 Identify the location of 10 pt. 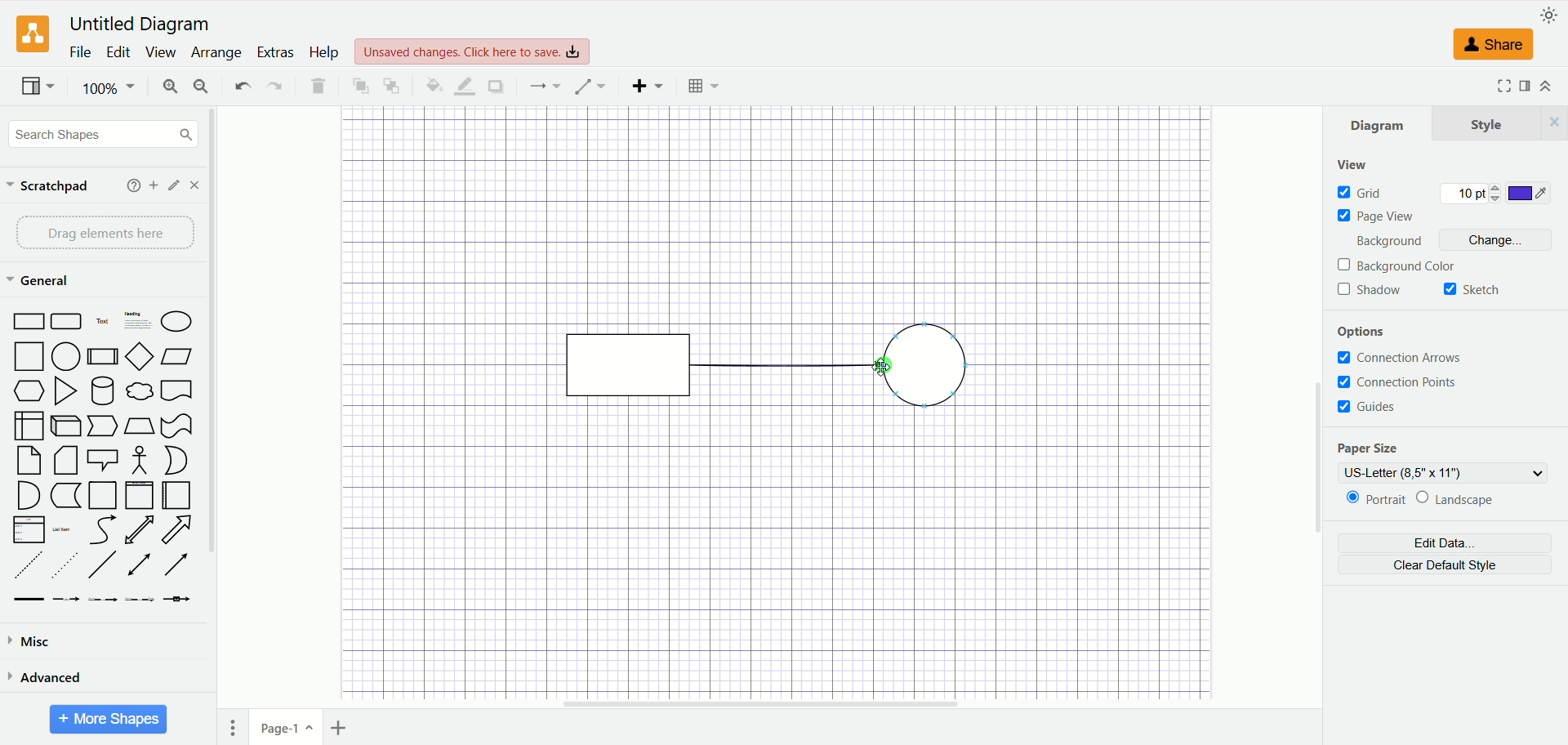
(1471, 191).